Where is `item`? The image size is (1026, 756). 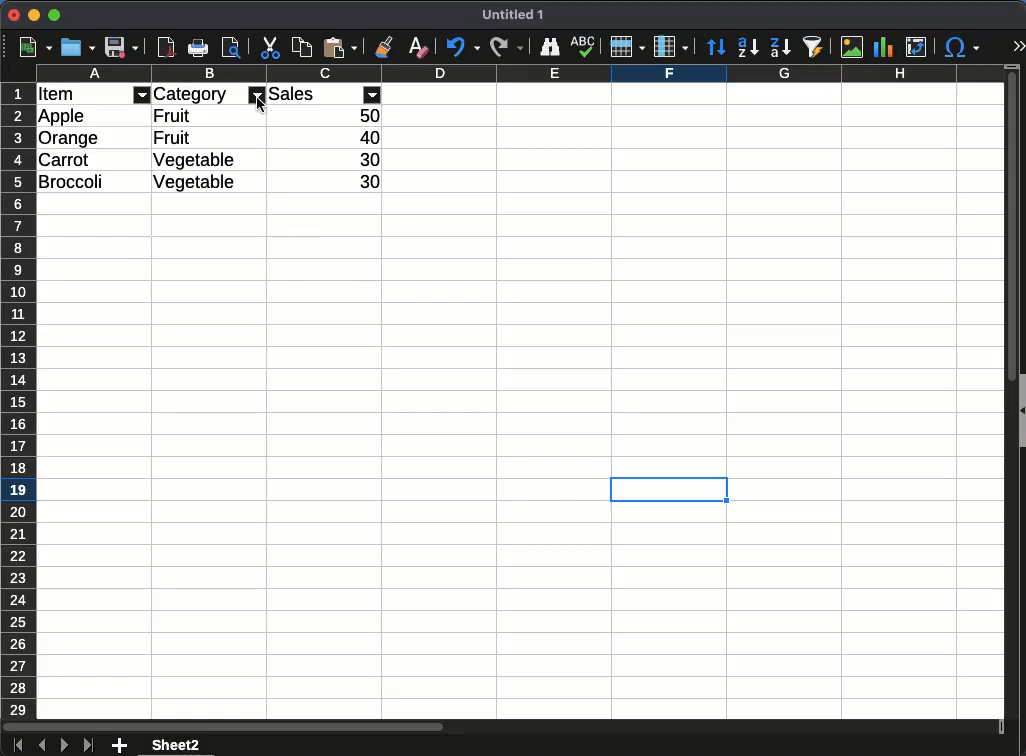 item is located at coordinates (57, 95).